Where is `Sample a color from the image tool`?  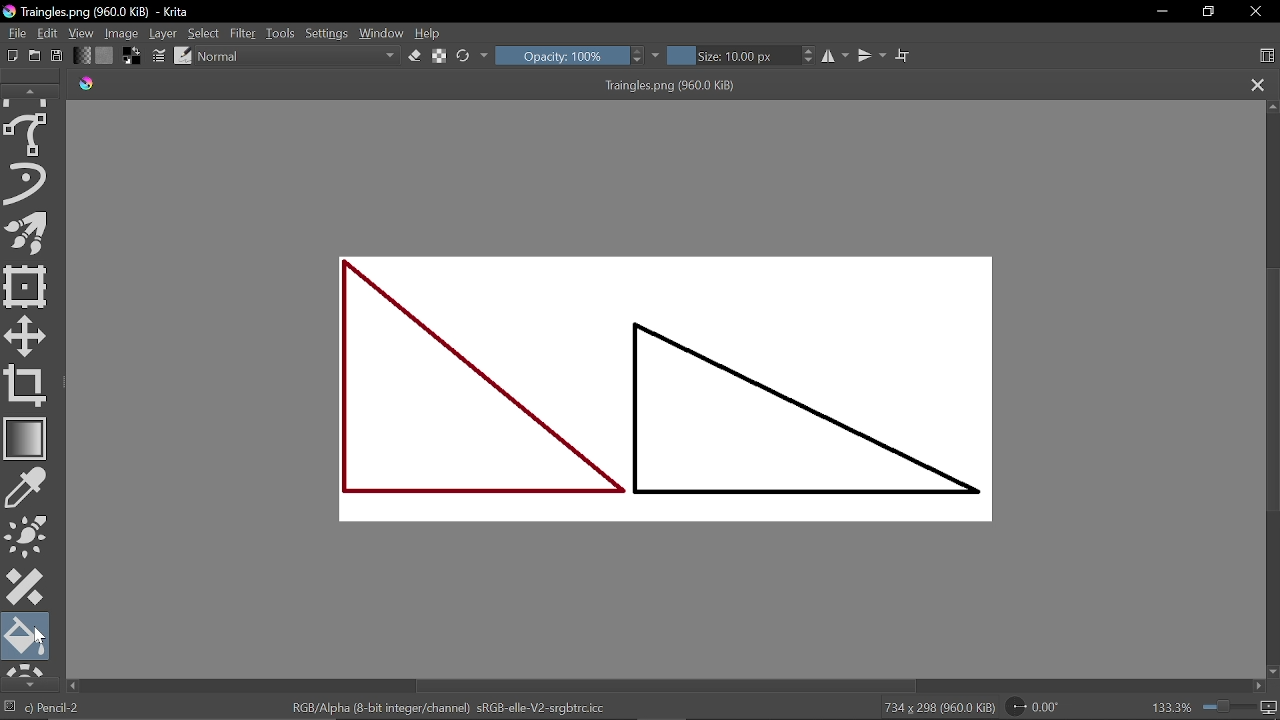 Sample a color from the image tool is located at coordinates (28, 488).